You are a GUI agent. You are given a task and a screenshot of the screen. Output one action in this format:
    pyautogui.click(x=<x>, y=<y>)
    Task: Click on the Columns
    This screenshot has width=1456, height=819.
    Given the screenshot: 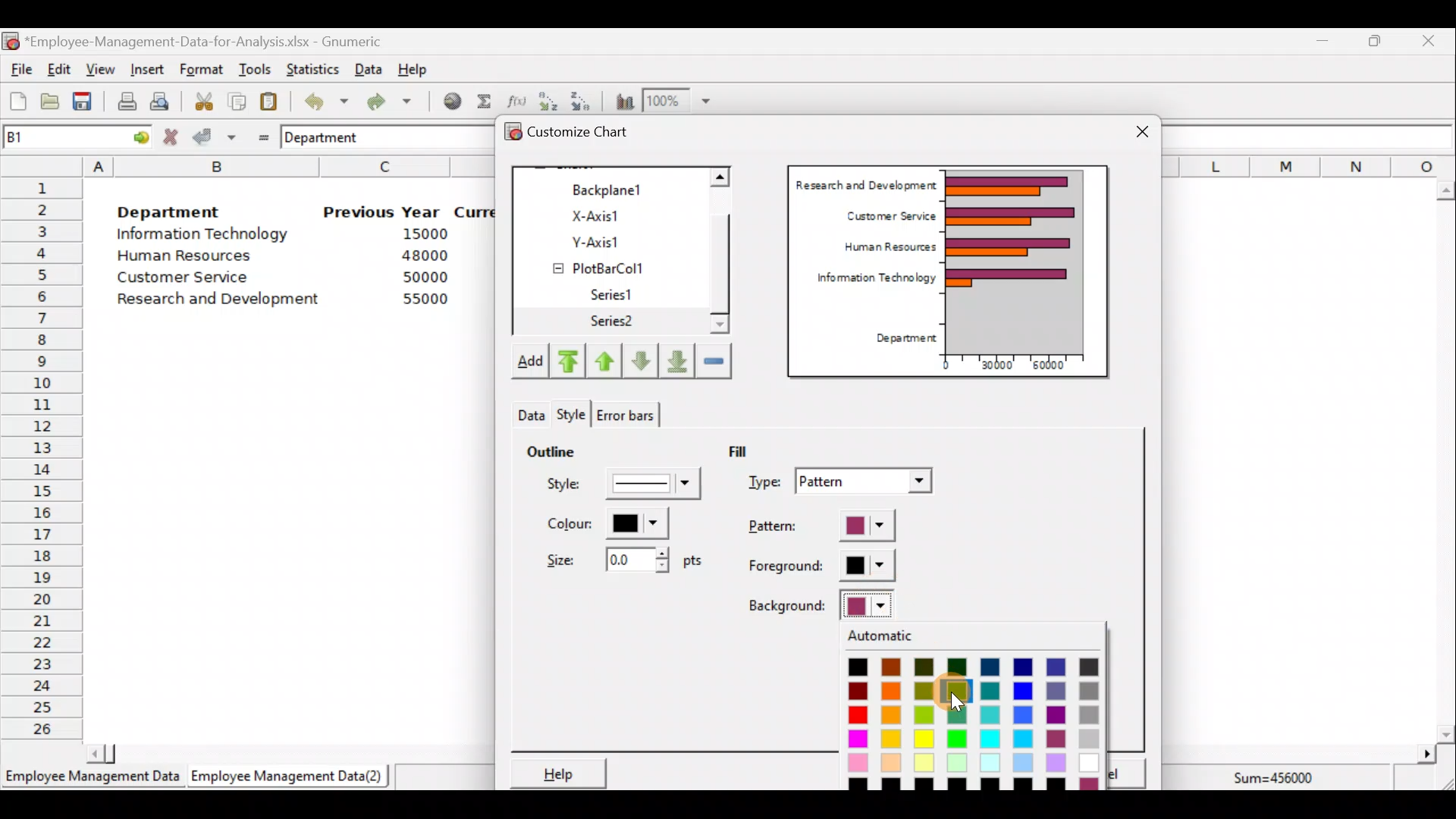 What is the action you would take?
    pyautogui.click(x=1309, y=165)
    